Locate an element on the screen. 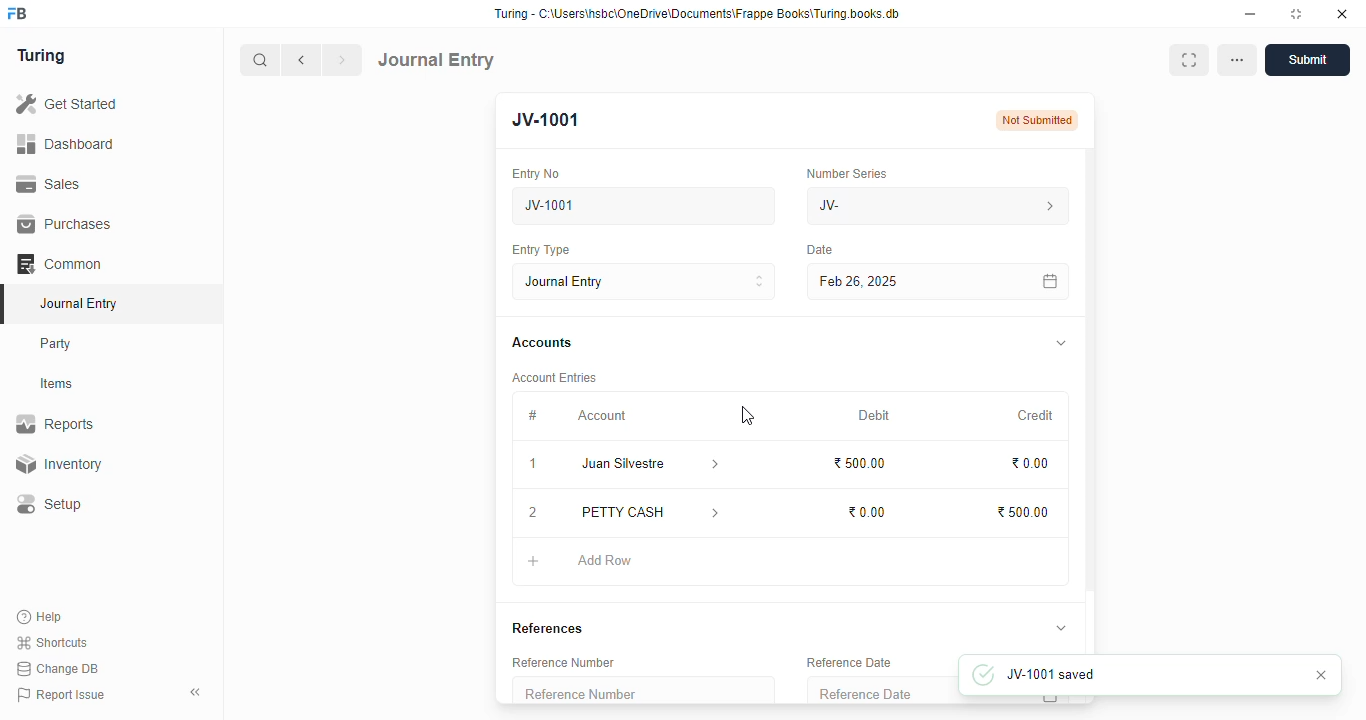 The height and width of the screenshot is (720, 1366). Feb 26, 2025 is located at coordinates (895, 281).